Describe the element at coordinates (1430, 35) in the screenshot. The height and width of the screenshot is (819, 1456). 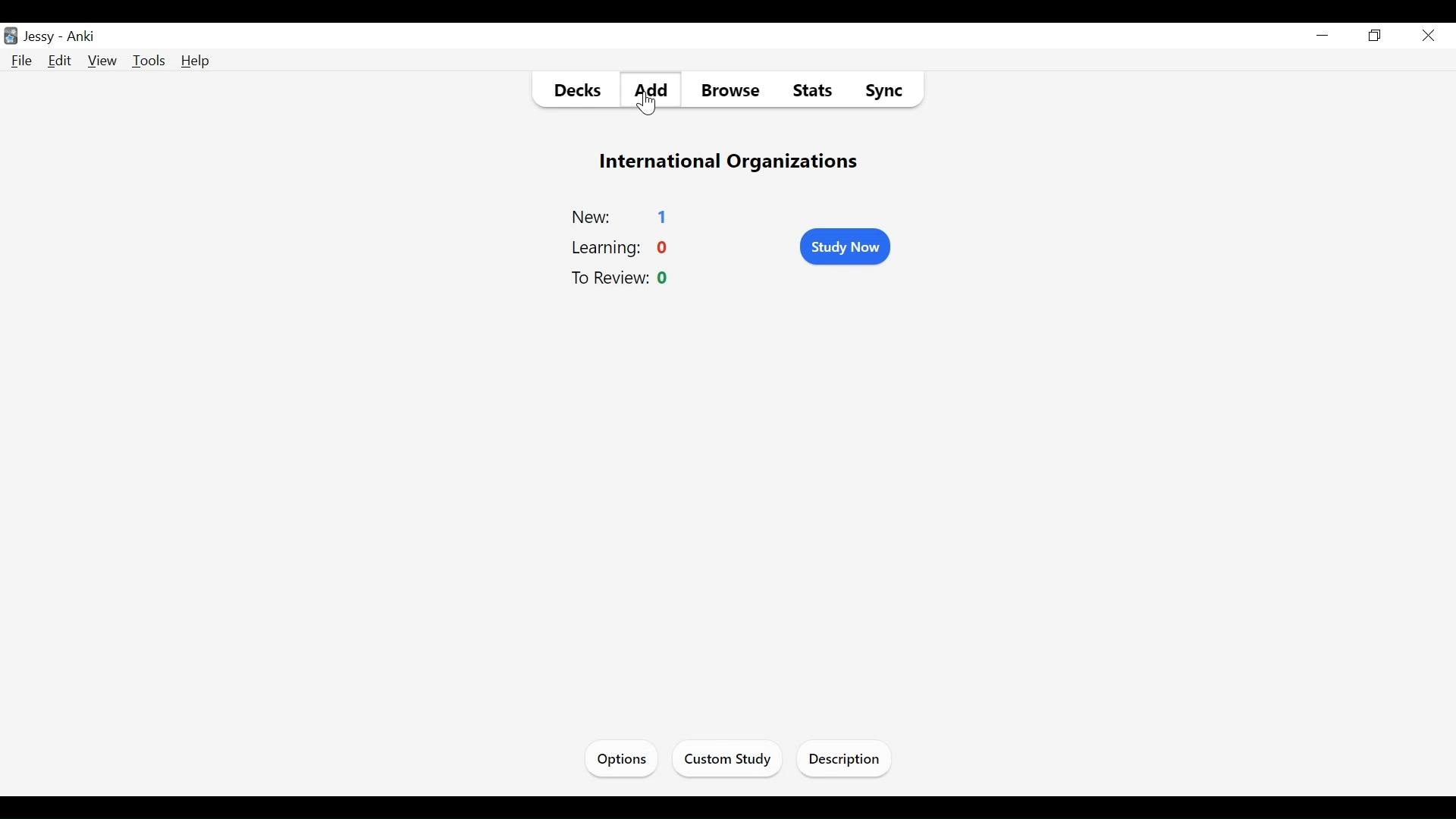
I see `Close` at that location.